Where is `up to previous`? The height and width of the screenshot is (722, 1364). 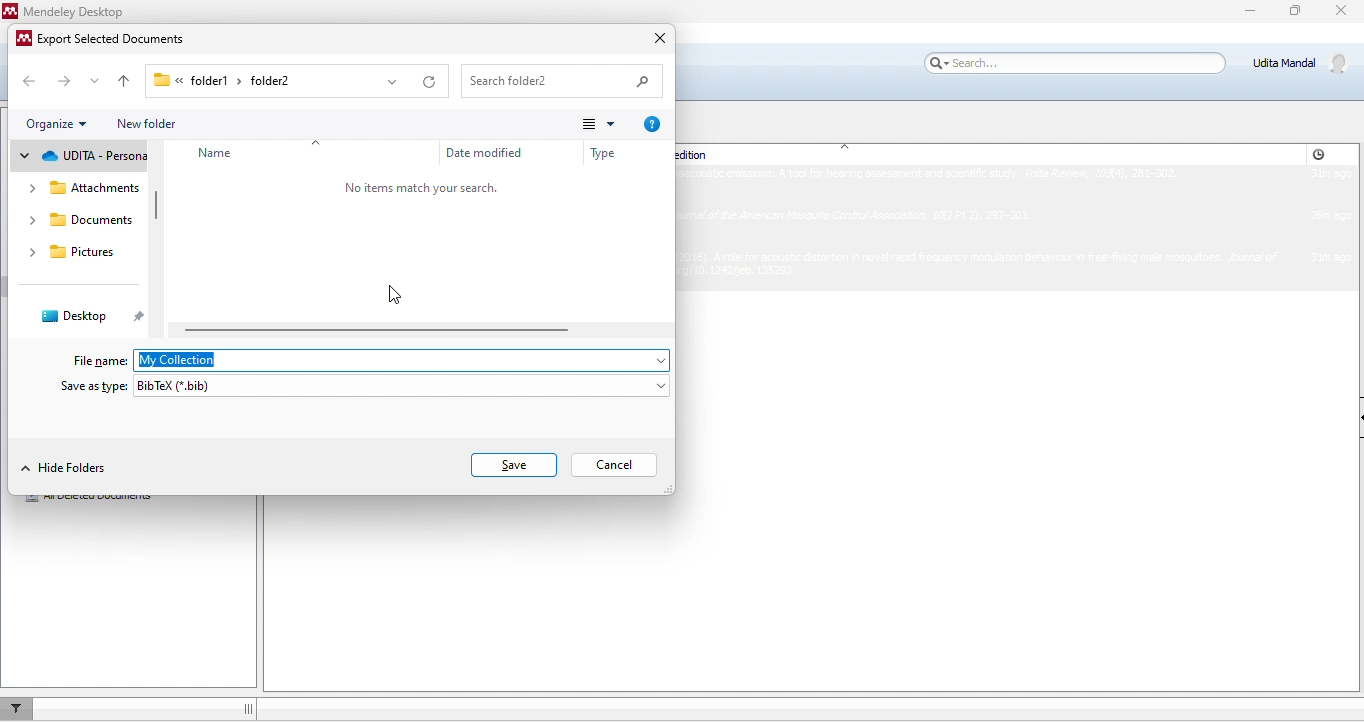
up to previous is located at coordinates (126, 80).